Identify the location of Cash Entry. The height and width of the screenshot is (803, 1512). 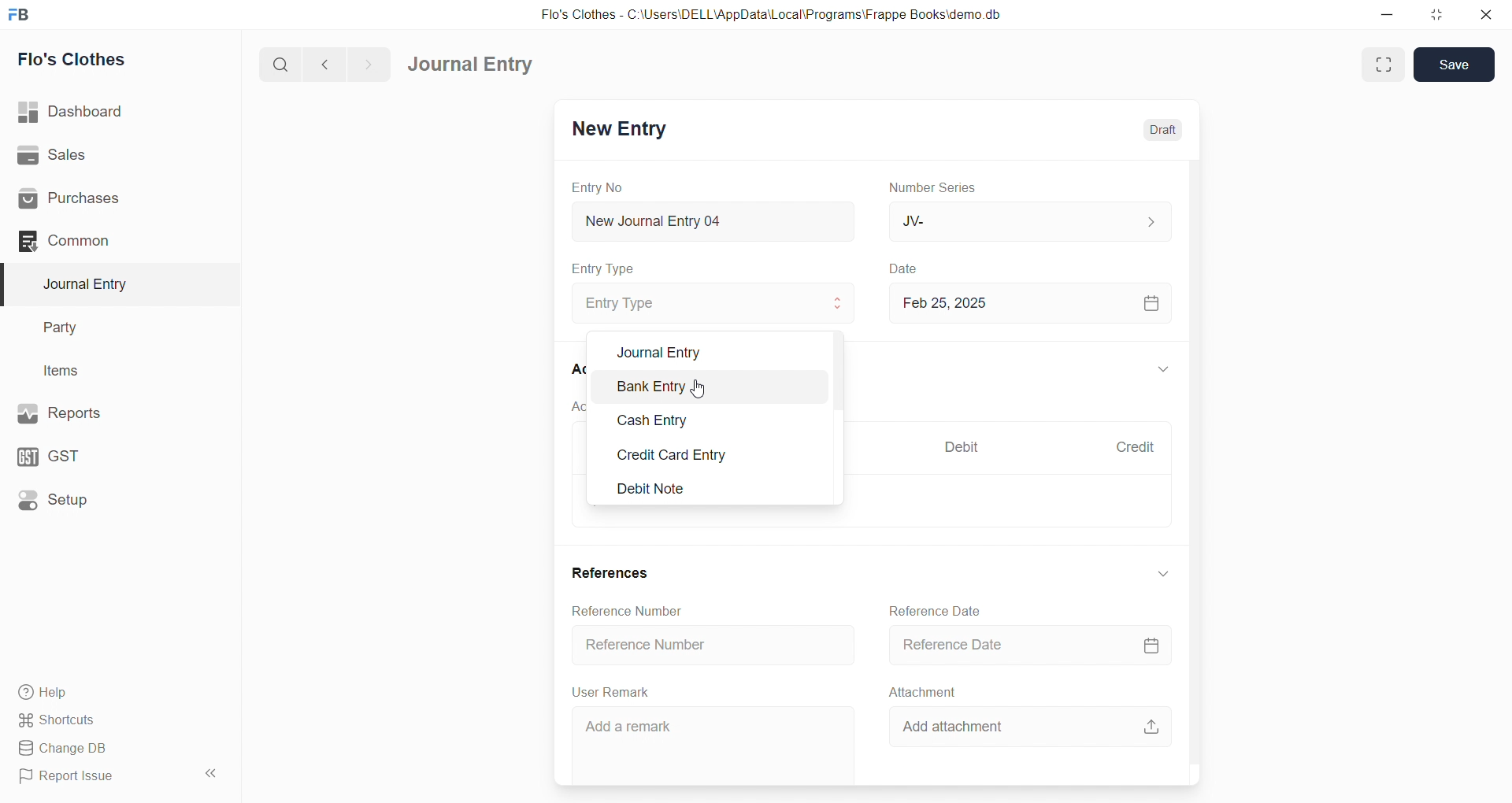
(702, 423).